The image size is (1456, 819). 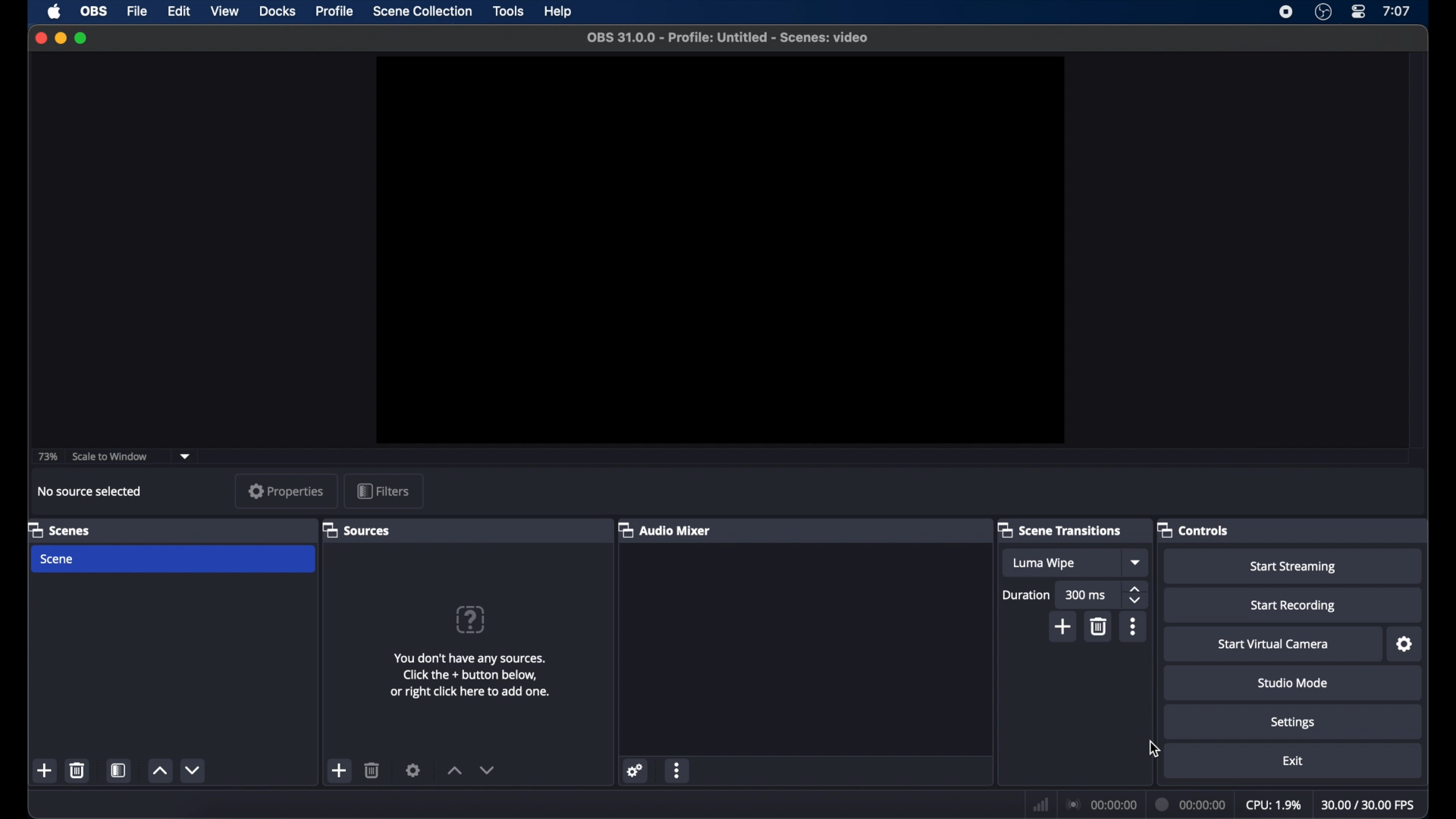 What do you see at coordinates (178, 11) in the screenshot?
I see `edit` at bounding box center [178, 11].